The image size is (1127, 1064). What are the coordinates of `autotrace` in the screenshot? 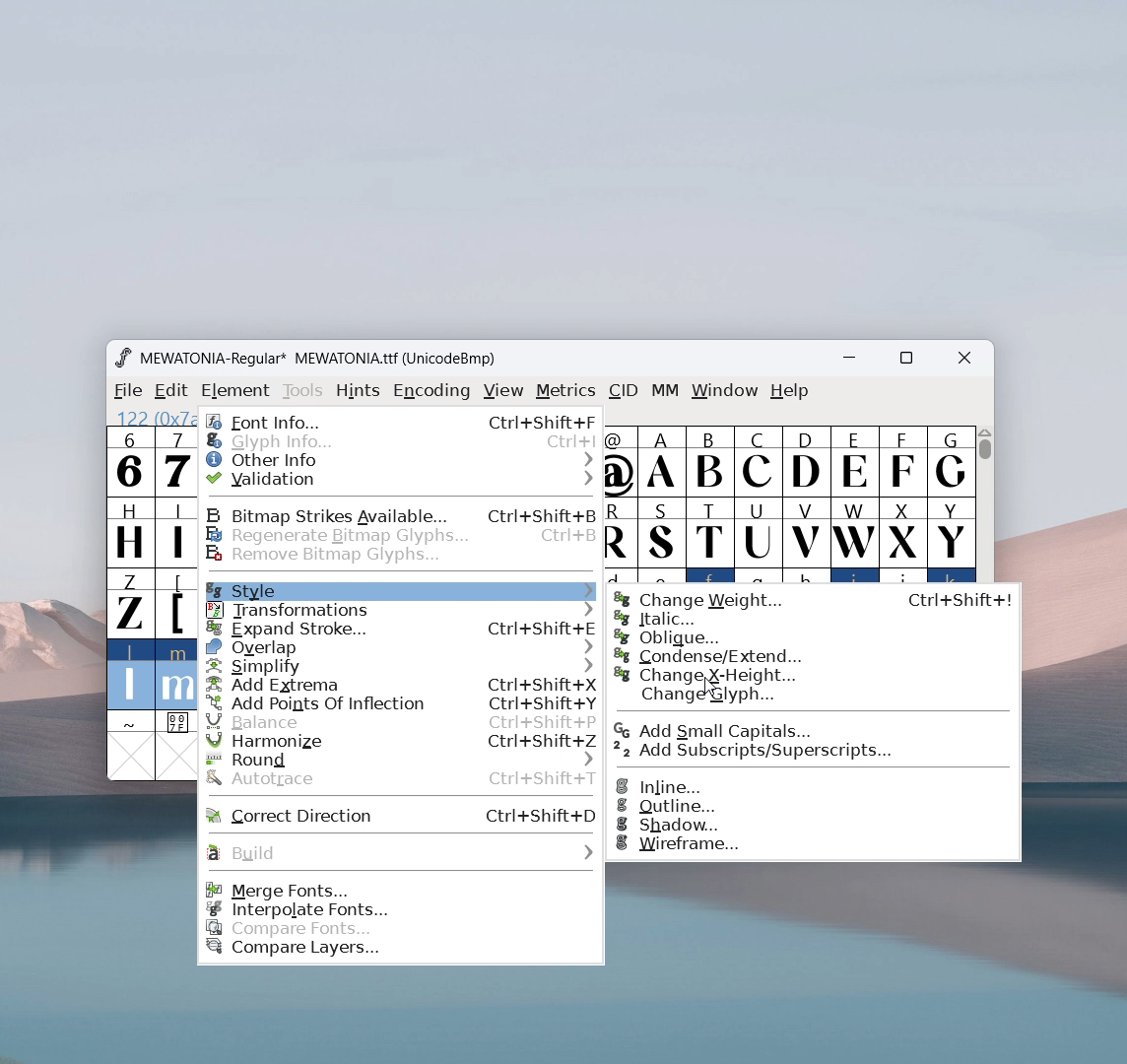 It's located at (402, 780).